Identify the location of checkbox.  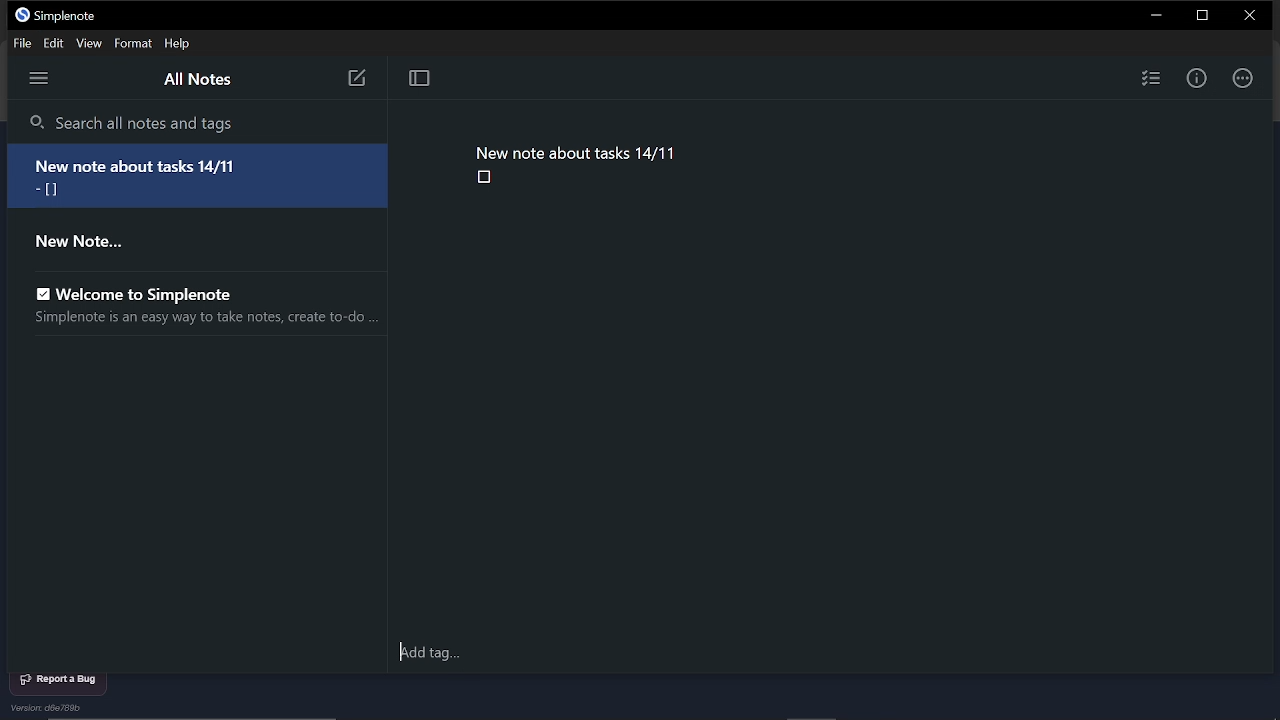
(484, 178).